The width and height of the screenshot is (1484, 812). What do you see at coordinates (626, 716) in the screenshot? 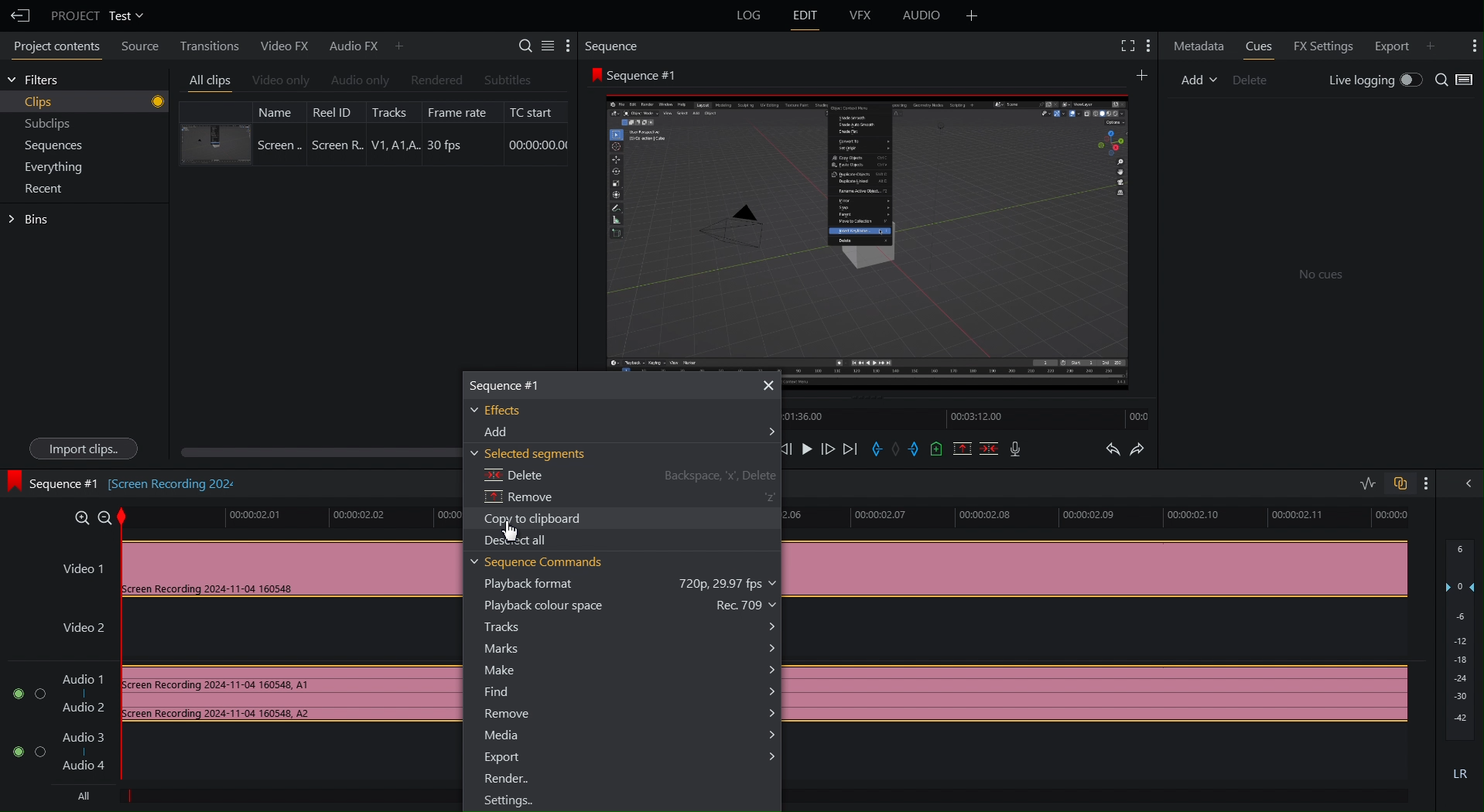
I see `Remove` at bounding box center [626, 716].